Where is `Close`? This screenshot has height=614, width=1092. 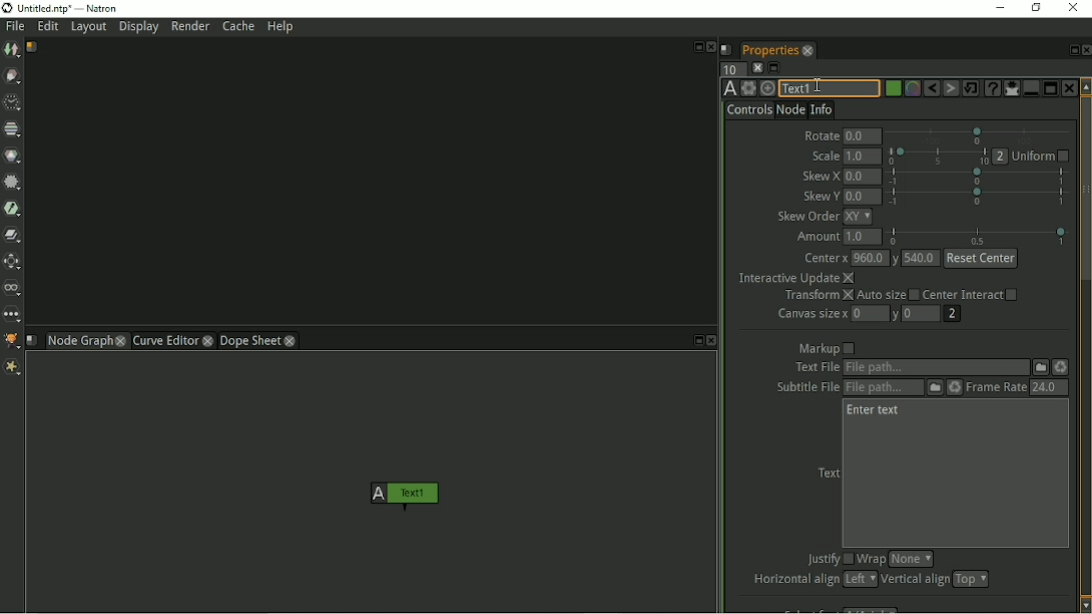
Close is located at coordinates (1068, 88).